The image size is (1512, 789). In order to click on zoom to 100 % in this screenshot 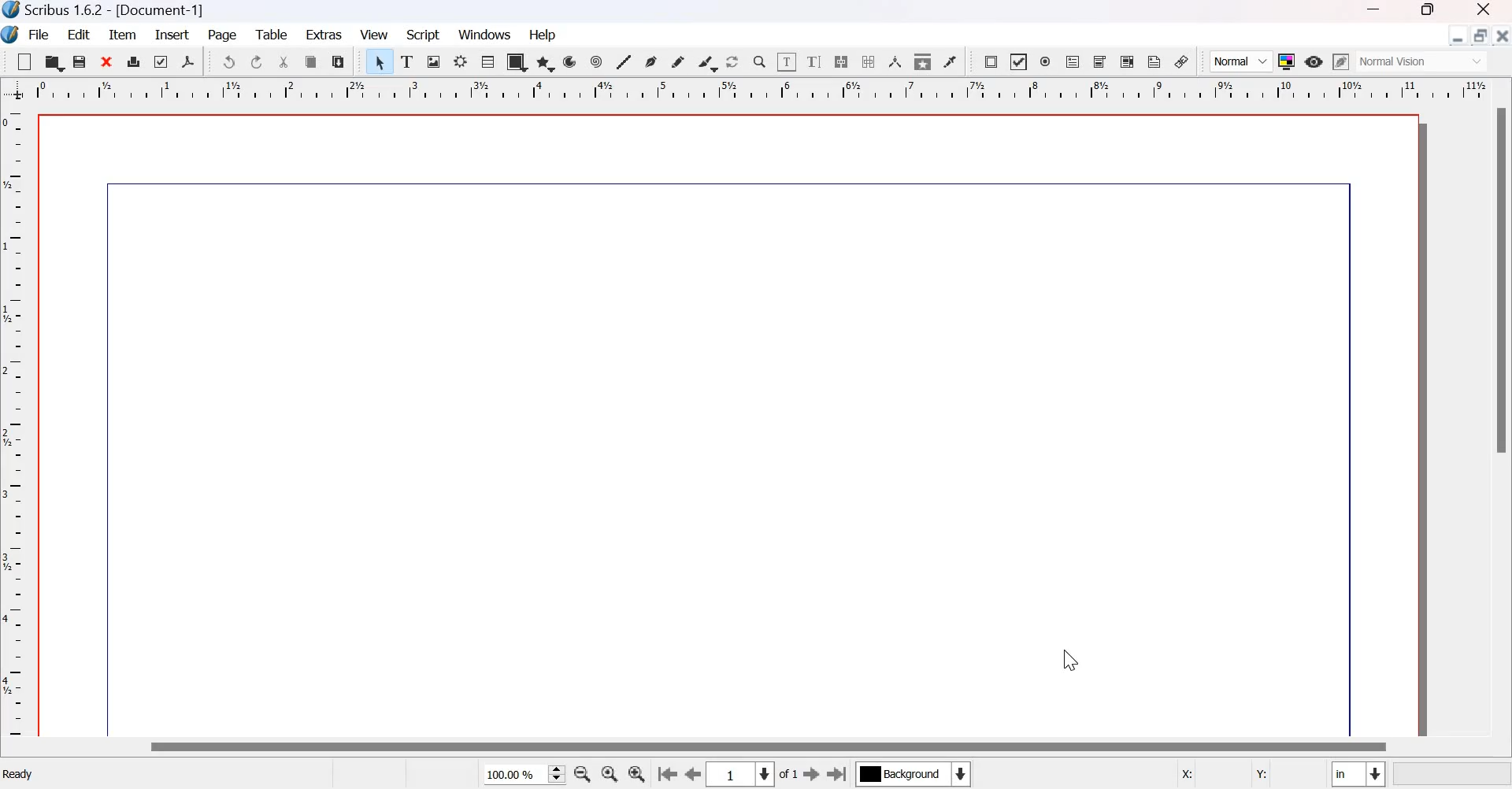, I will do `click(610, 775)`.